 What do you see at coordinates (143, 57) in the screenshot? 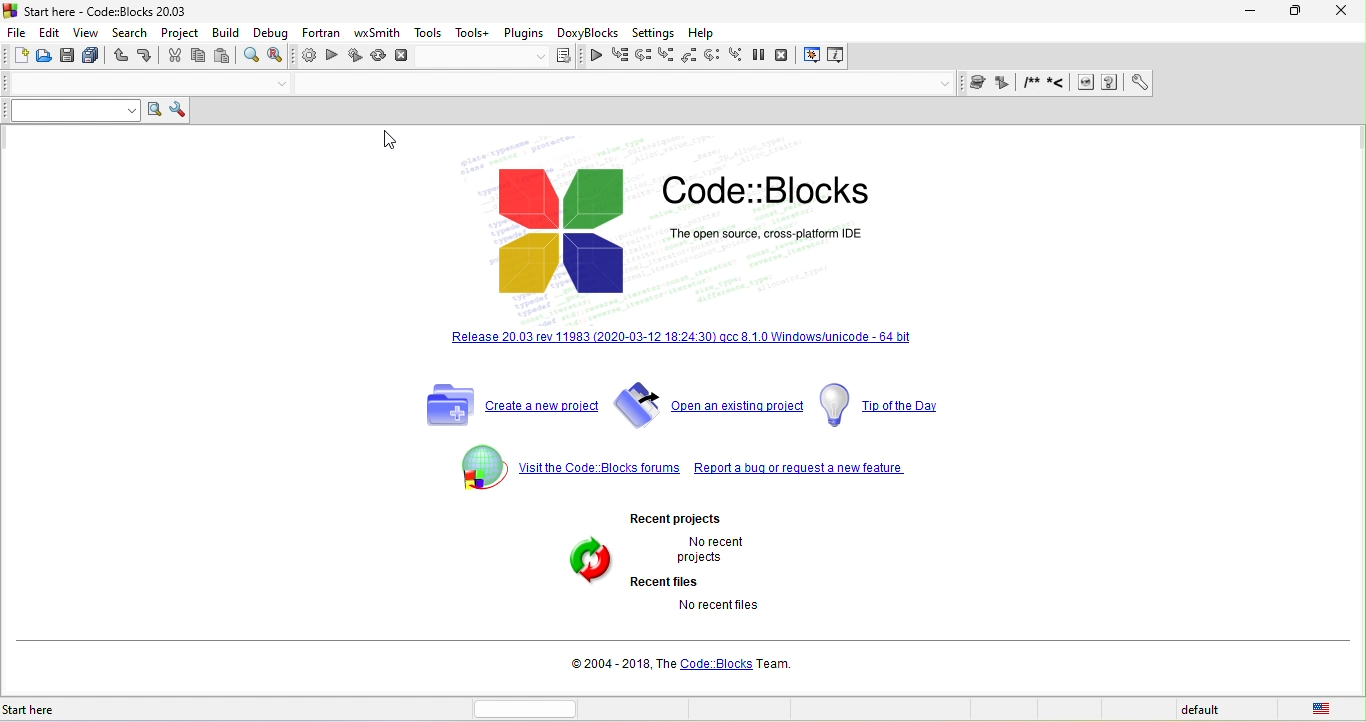
I see `redo` at bounding box center [143, 57].